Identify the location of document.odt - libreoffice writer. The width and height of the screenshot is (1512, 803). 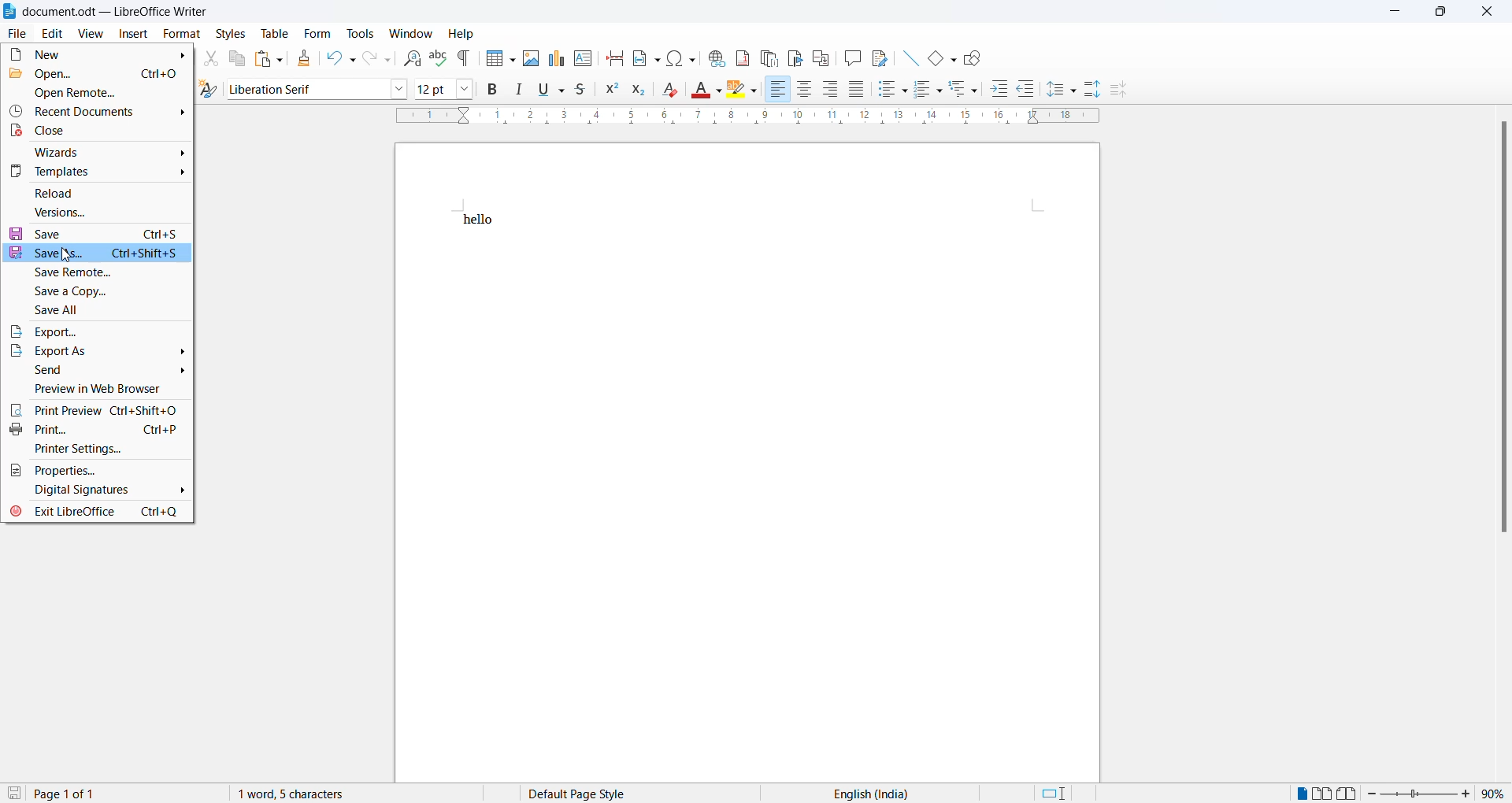
(114, 12).